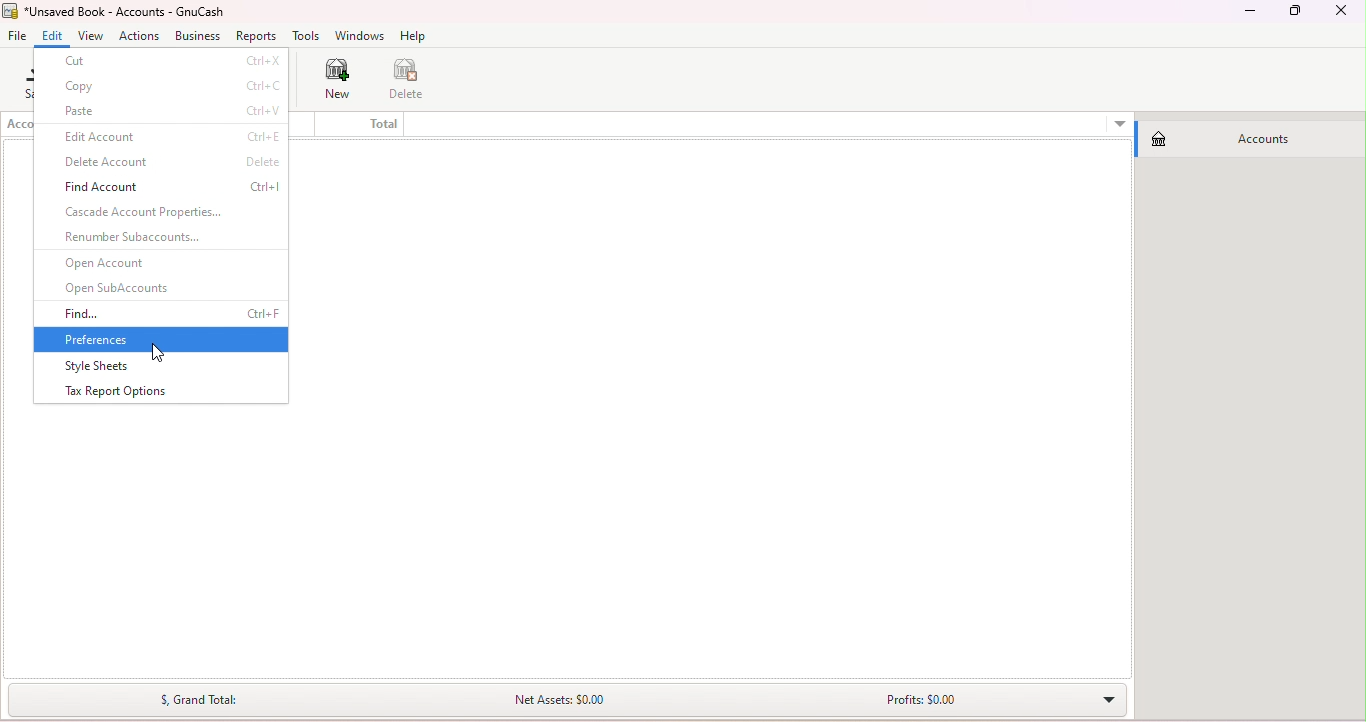  I want to click on Preferences, so click(162, 339).